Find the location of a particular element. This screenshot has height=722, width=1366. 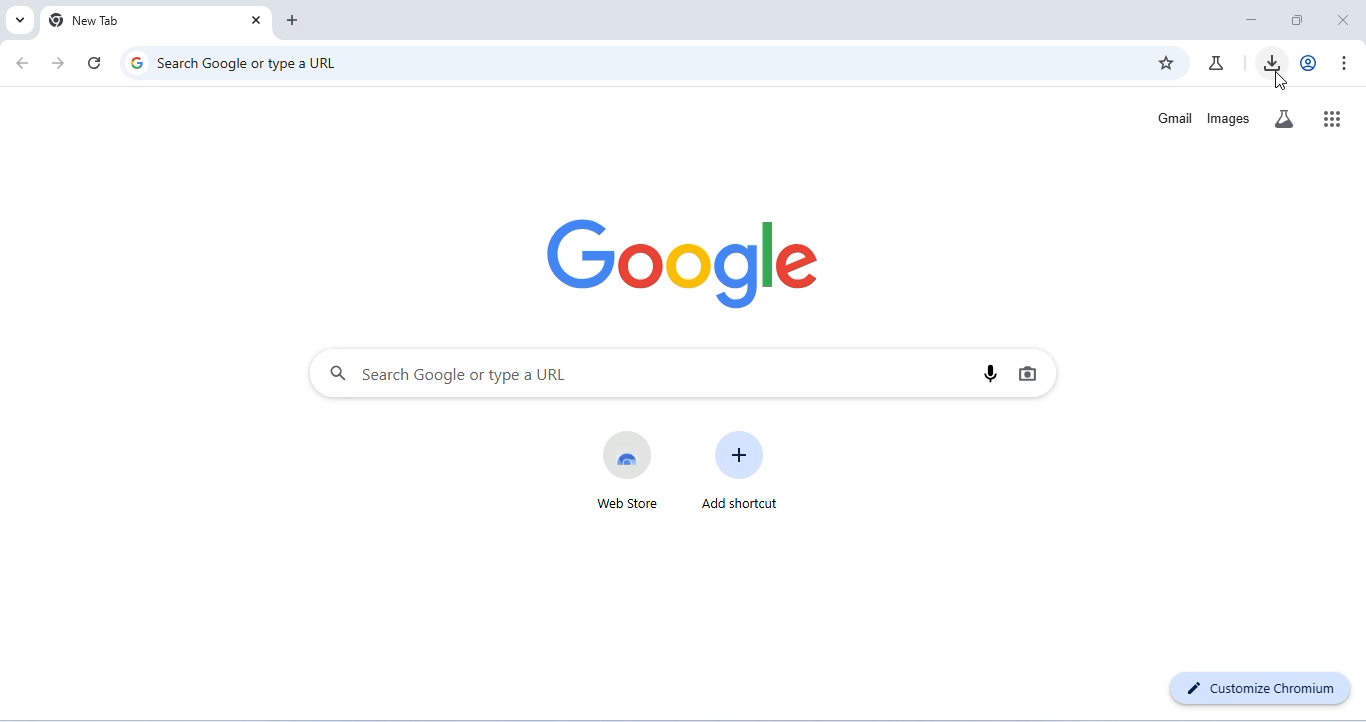

close is located at coordinates (255, 20).